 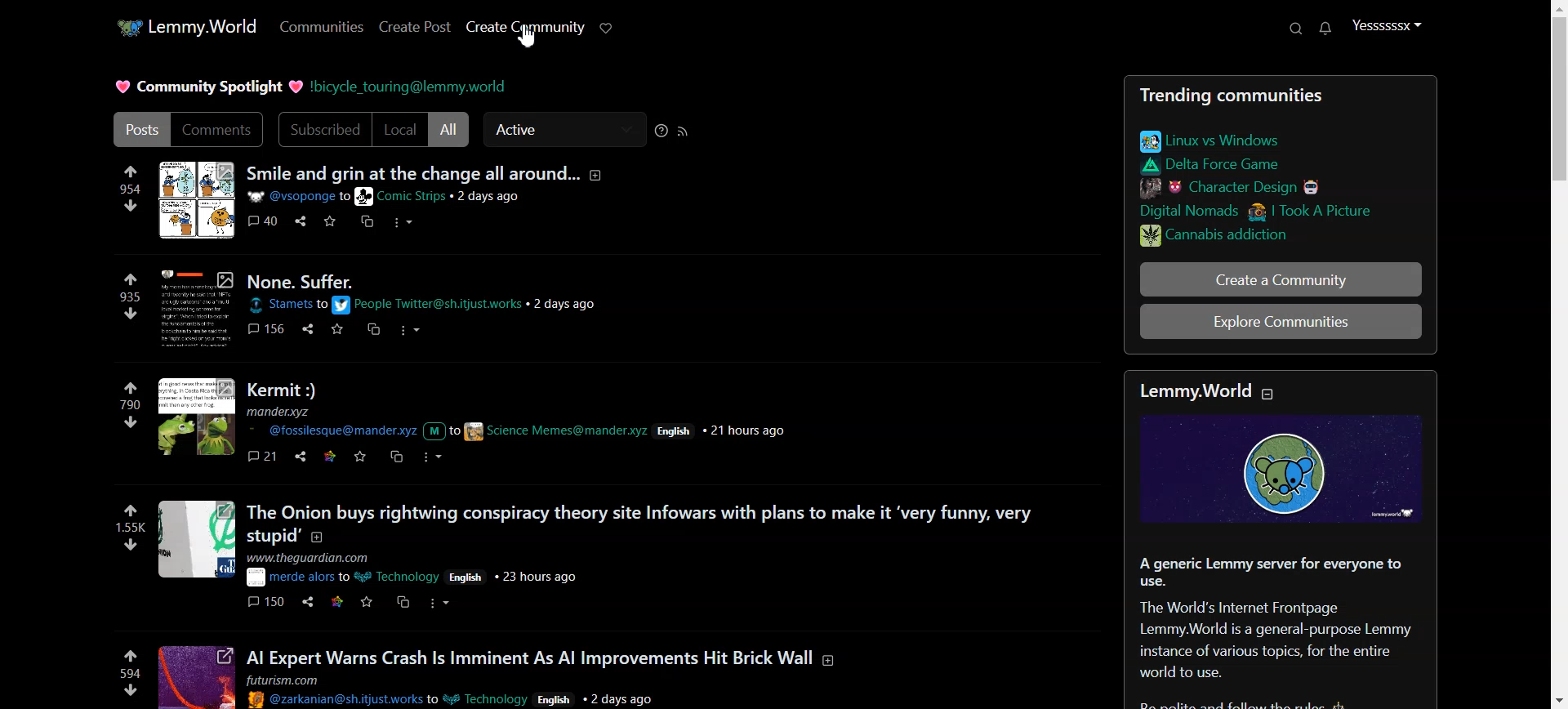 I want to click on image, so click(x=199, y=420).